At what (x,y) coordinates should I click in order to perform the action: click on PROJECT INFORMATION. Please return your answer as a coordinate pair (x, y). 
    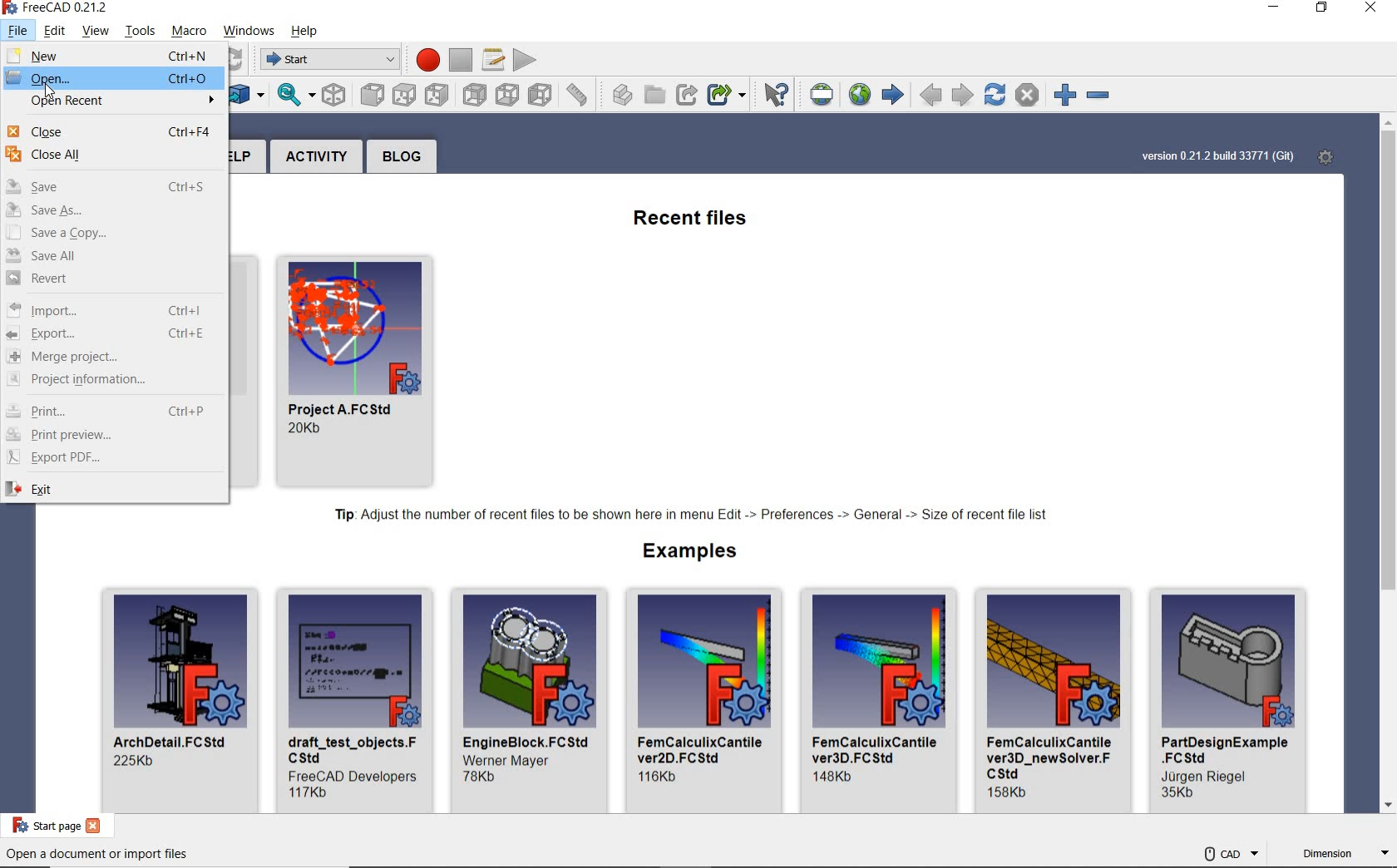
    Looking at the image, I should click on (109, 382).